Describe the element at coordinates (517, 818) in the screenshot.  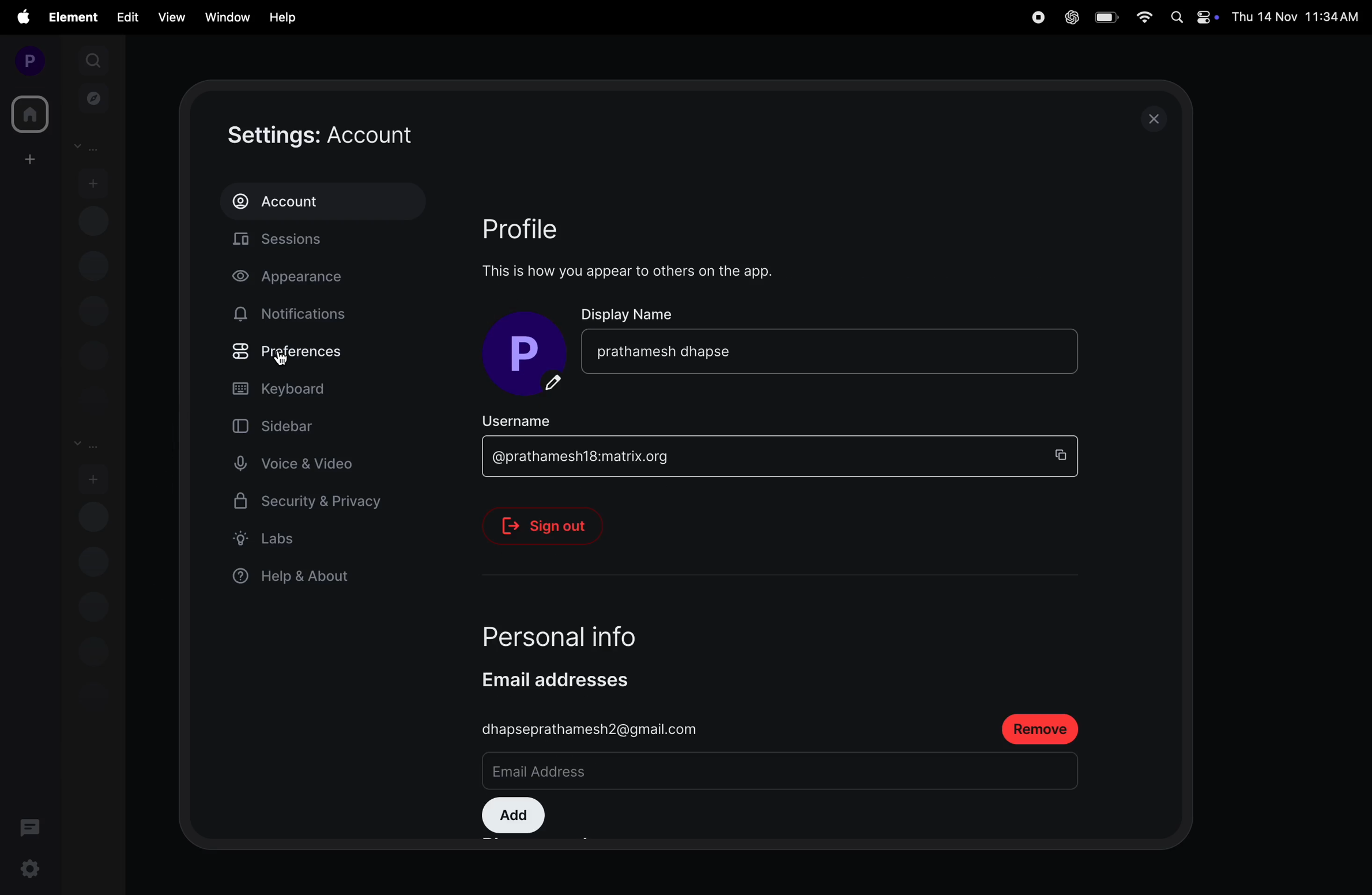
I see `add` at that location.